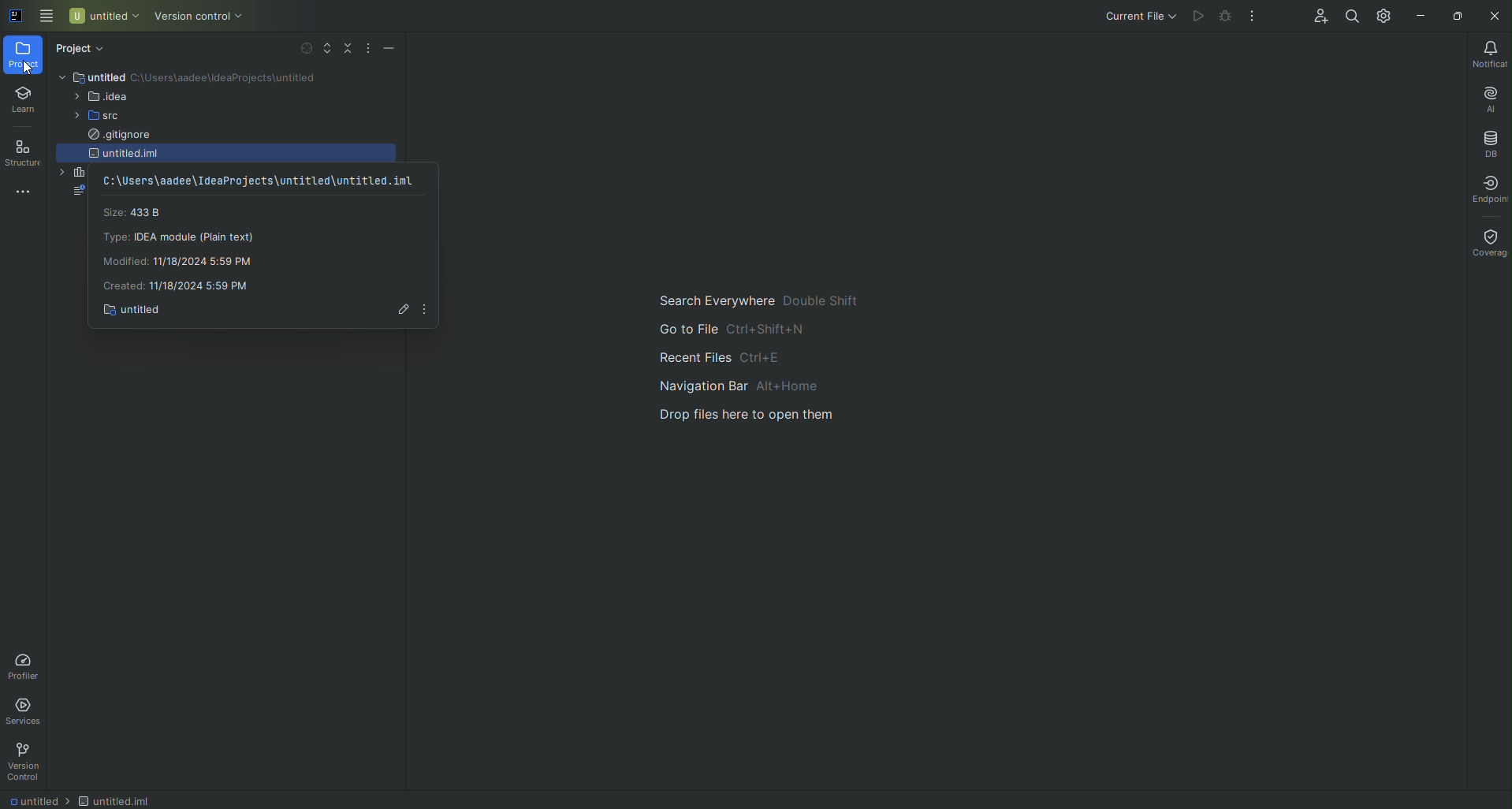 The height and width of the screenshot is (809, 1512). What do you see at coordinates (1486, 186) in the screenshot?
I see `Endpoints` at bounding box center [1486, 186].